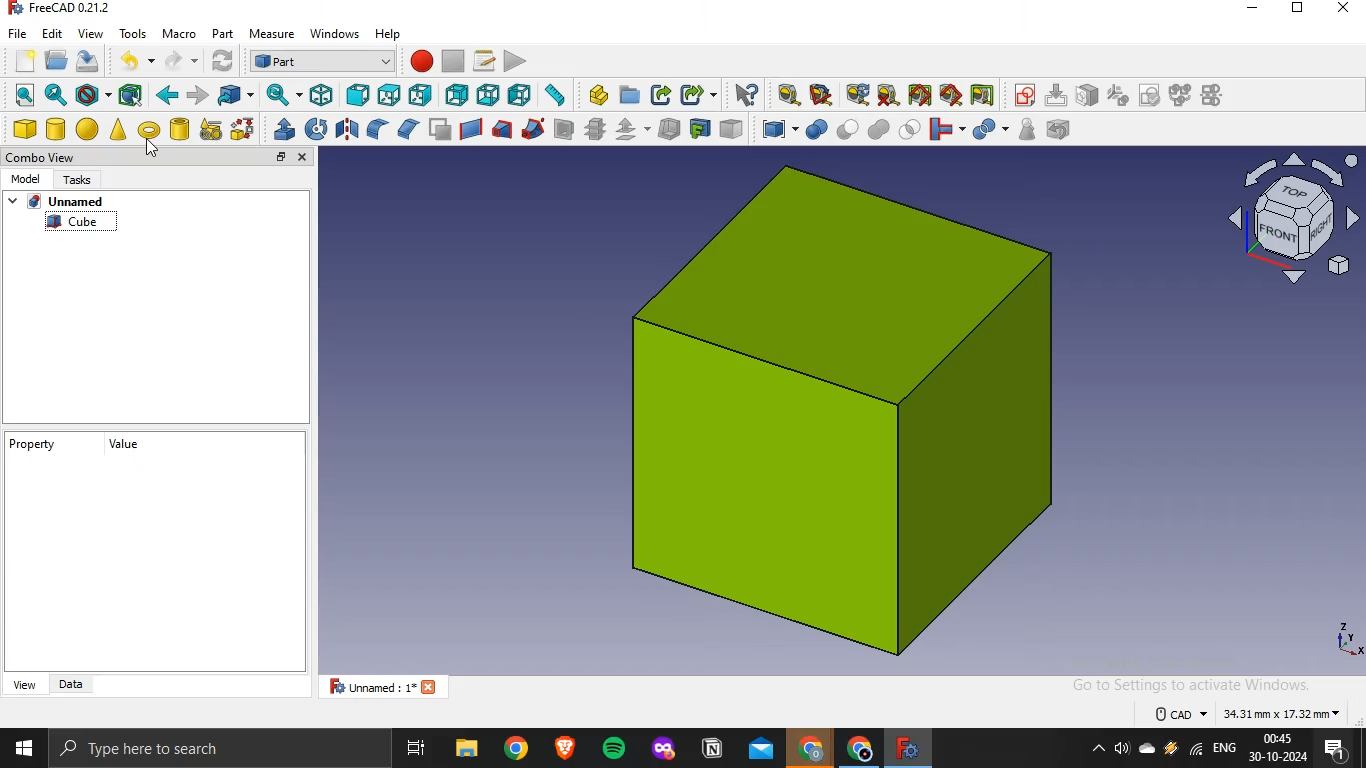  Describe the element at coordinates (847, 129) in the screenshot. I see `cut` at that location.